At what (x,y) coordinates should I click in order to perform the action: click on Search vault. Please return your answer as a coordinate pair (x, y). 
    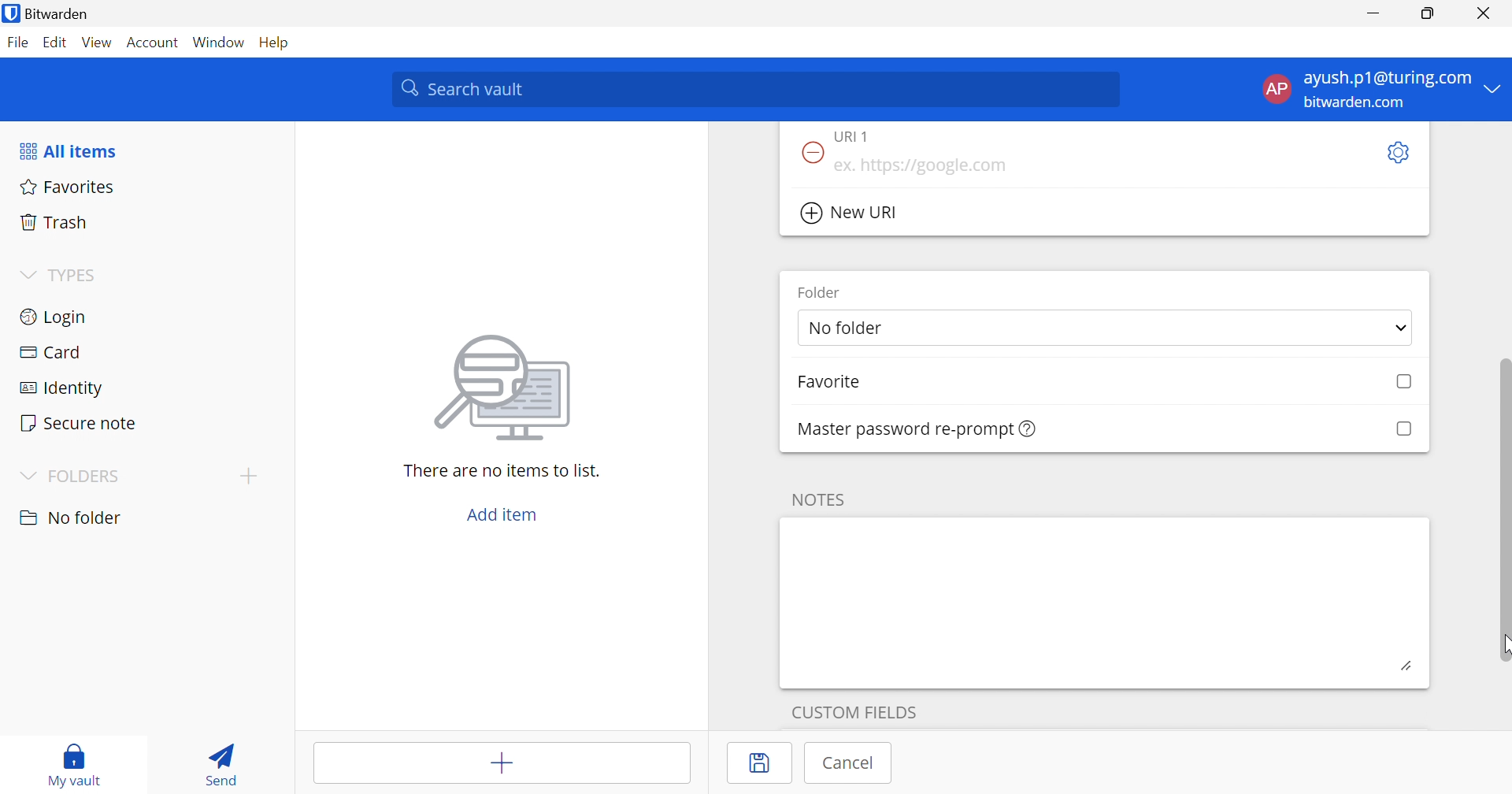
    Looking at the image, I should click on (754, 89).